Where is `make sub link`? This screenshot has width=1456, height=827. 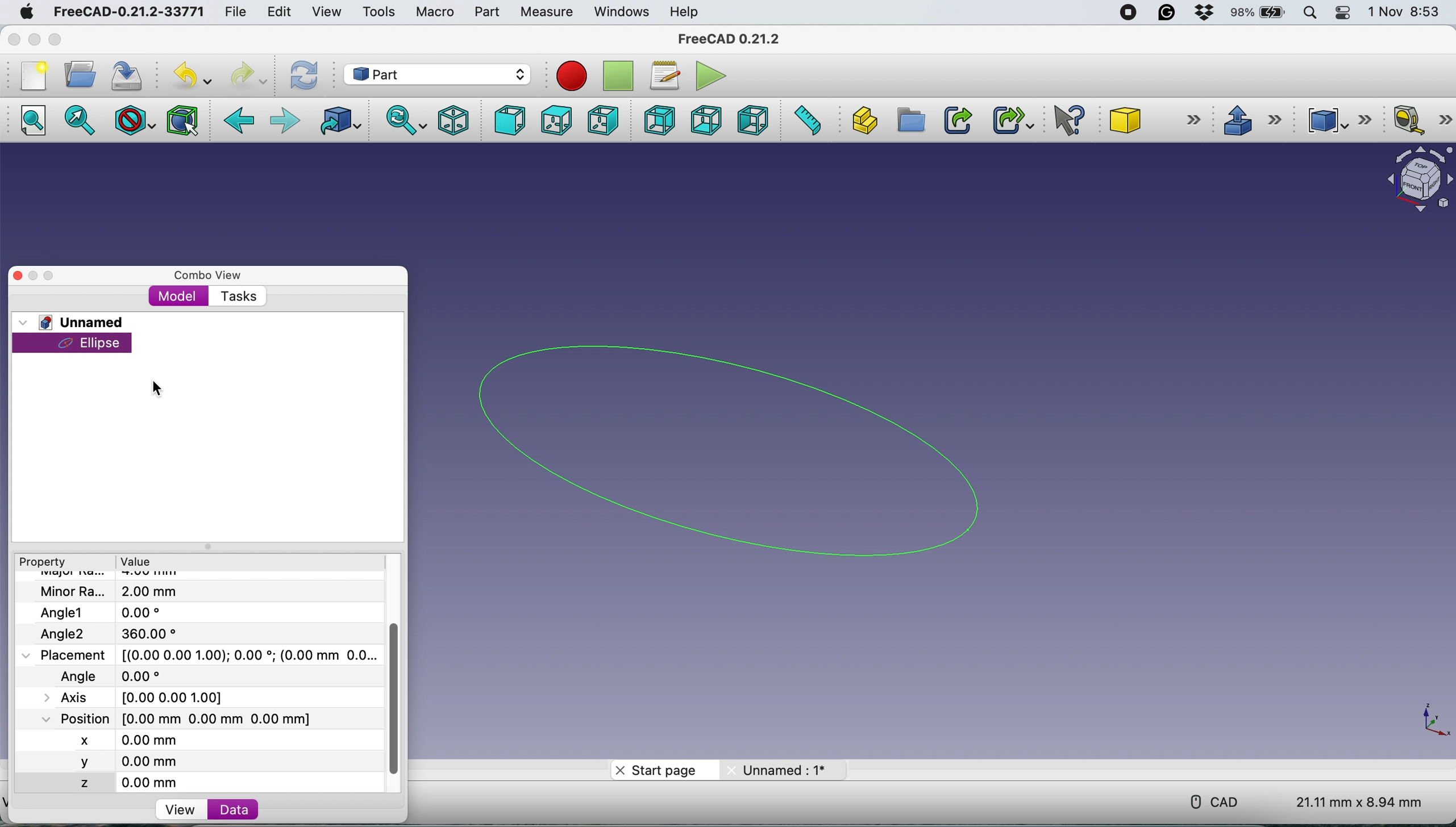 make sub link is located at coordinates (1009, 121).